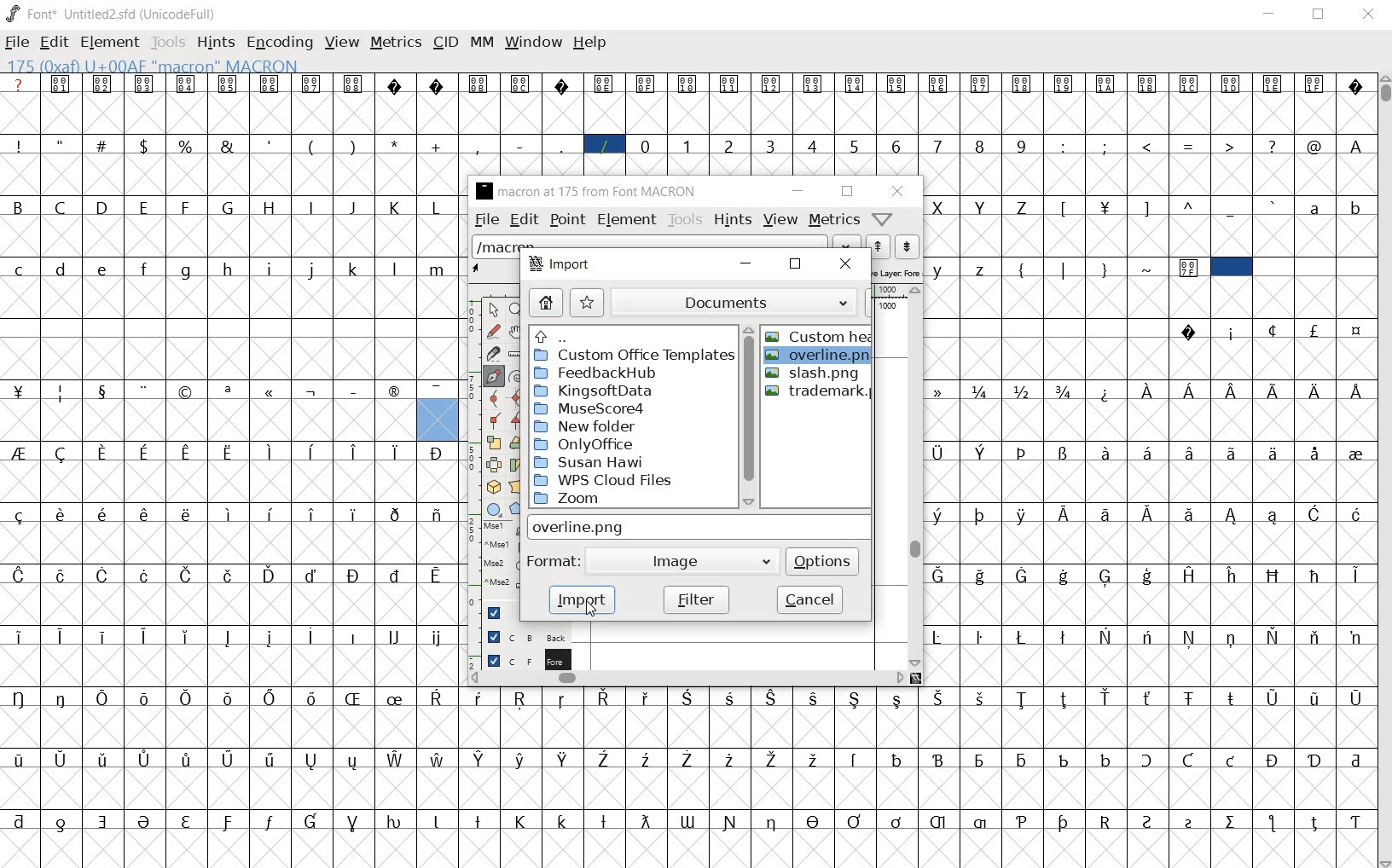 The width and height of the screenshot is (1392, 868). Describe the element at coordinates (879, 248) in the screenshot. I see `previous word` at that location.